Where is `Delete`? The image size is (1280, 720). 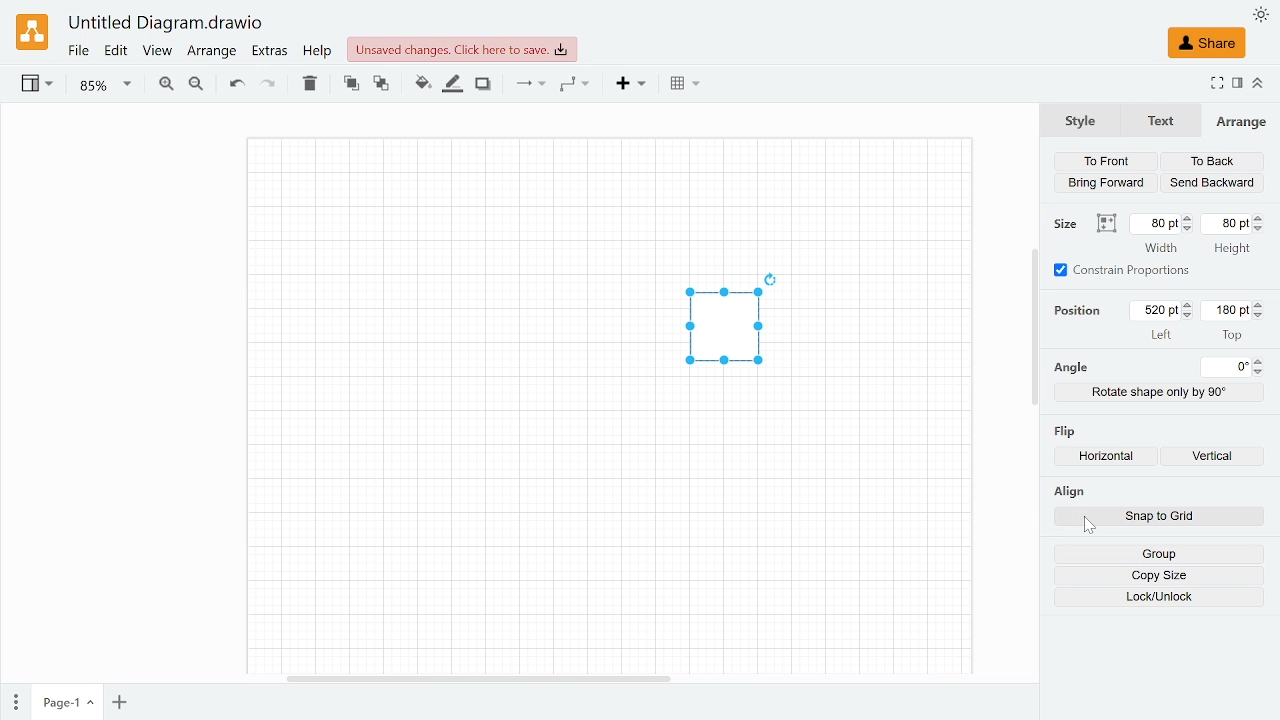
Delete is located at coordinates (309, 83).